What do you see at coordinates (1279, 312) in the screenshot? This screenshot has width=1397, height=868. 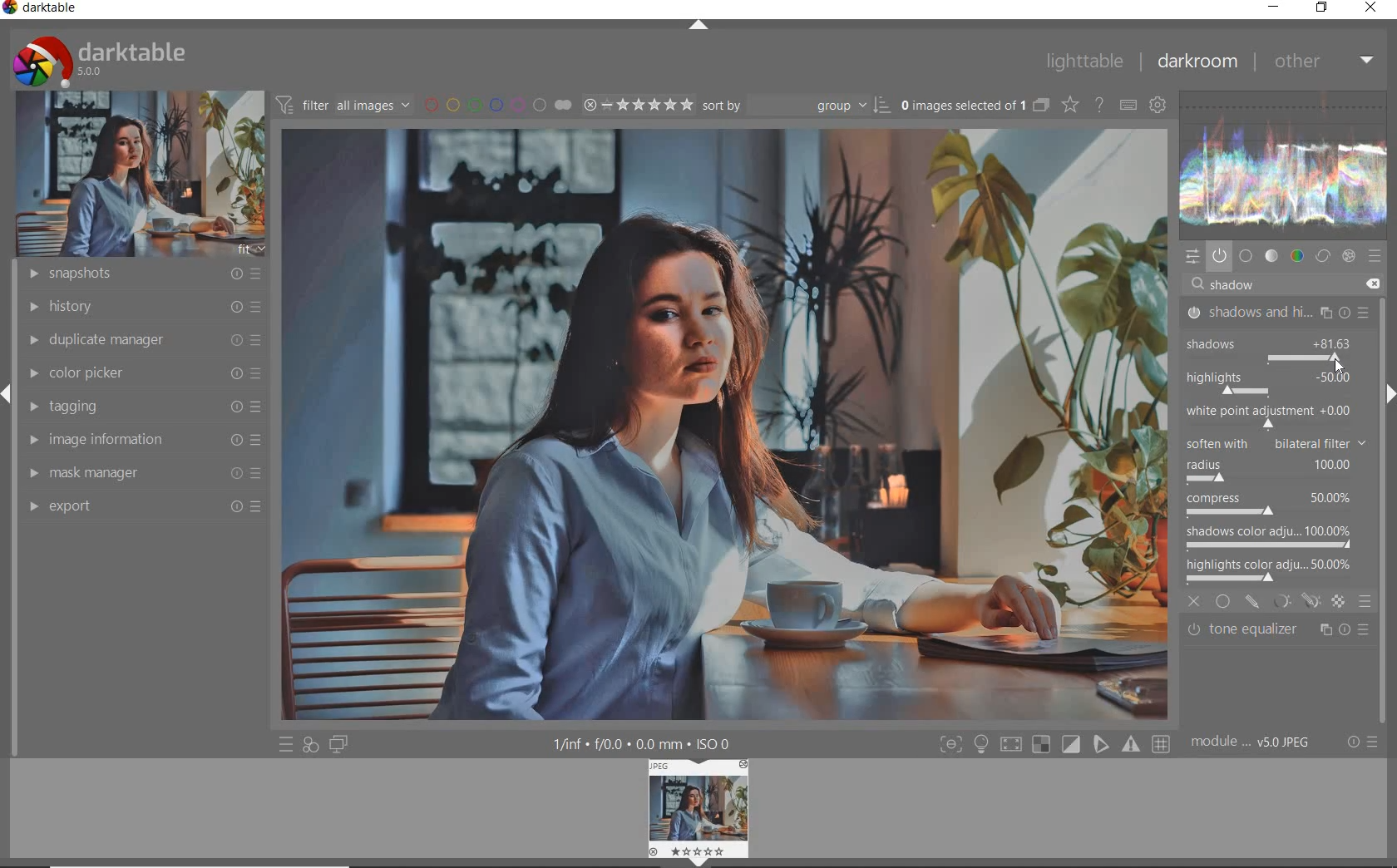 I see `shadows & highlights` at bounding box center [1279, 312].